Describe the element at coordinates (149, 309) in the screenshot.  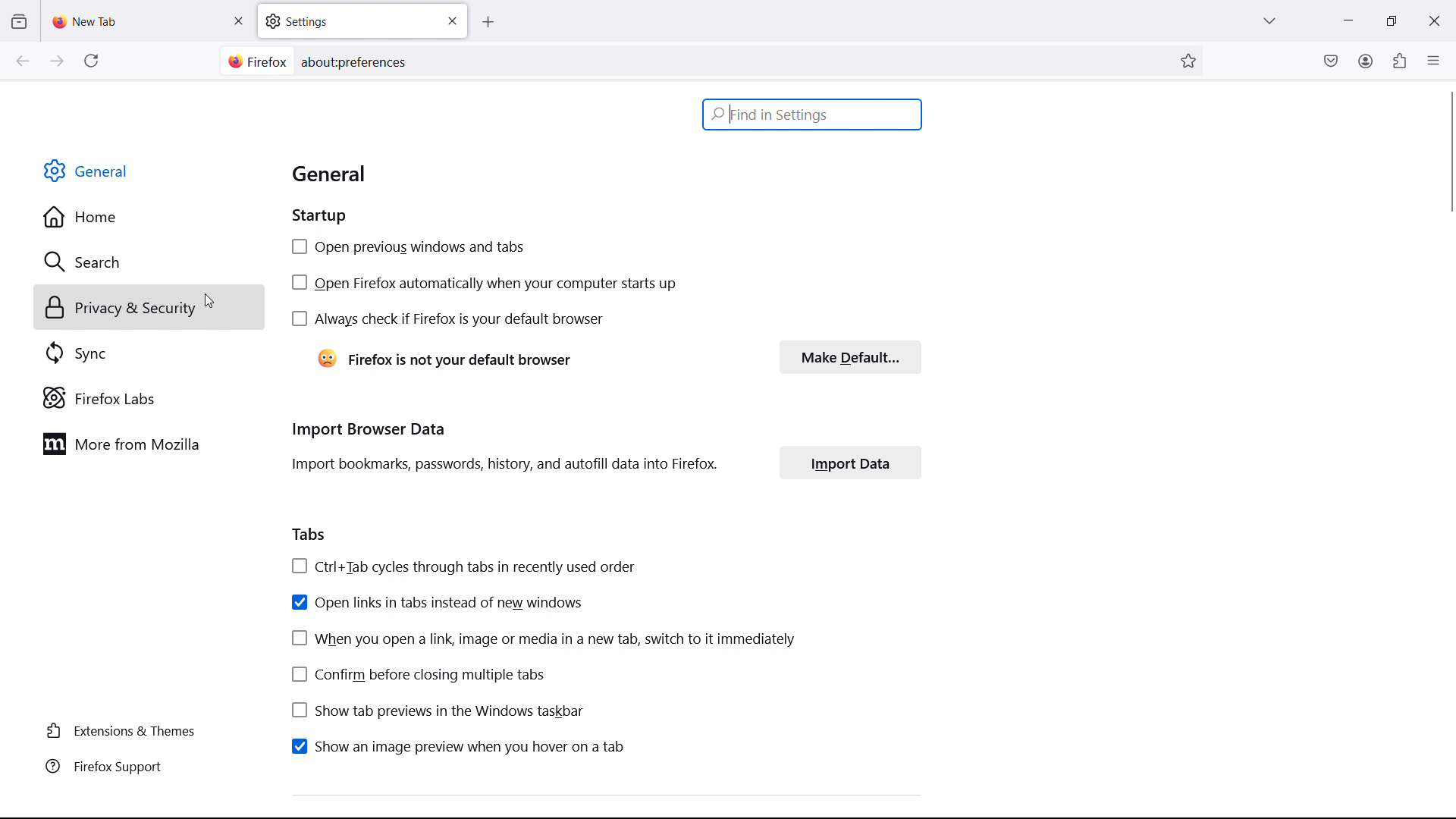
I see `privacy and security` at that location.